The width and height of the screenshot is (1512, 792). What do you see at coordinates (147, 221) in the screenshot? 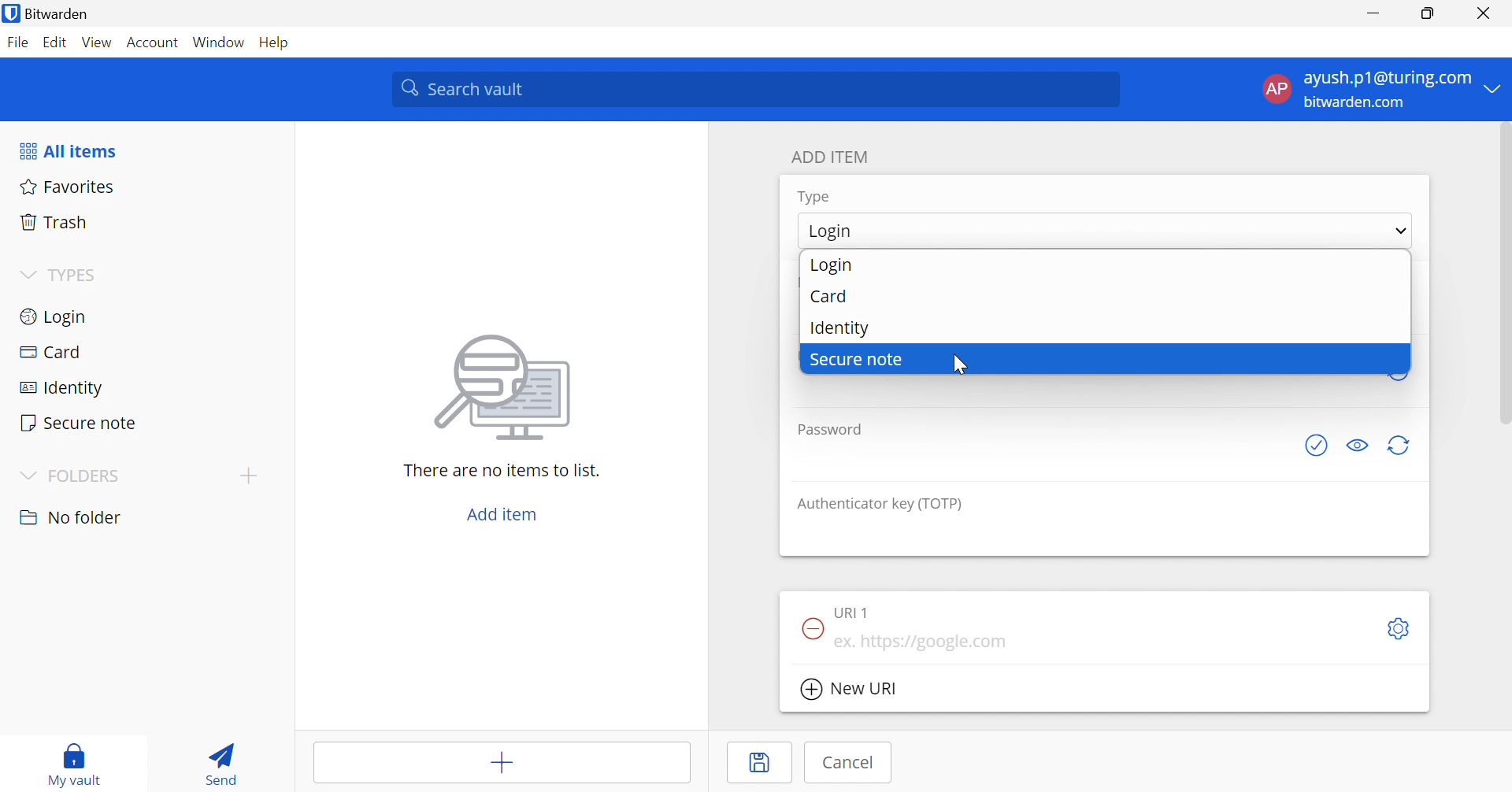
I see `Trash` at bounding box center [147, 221].